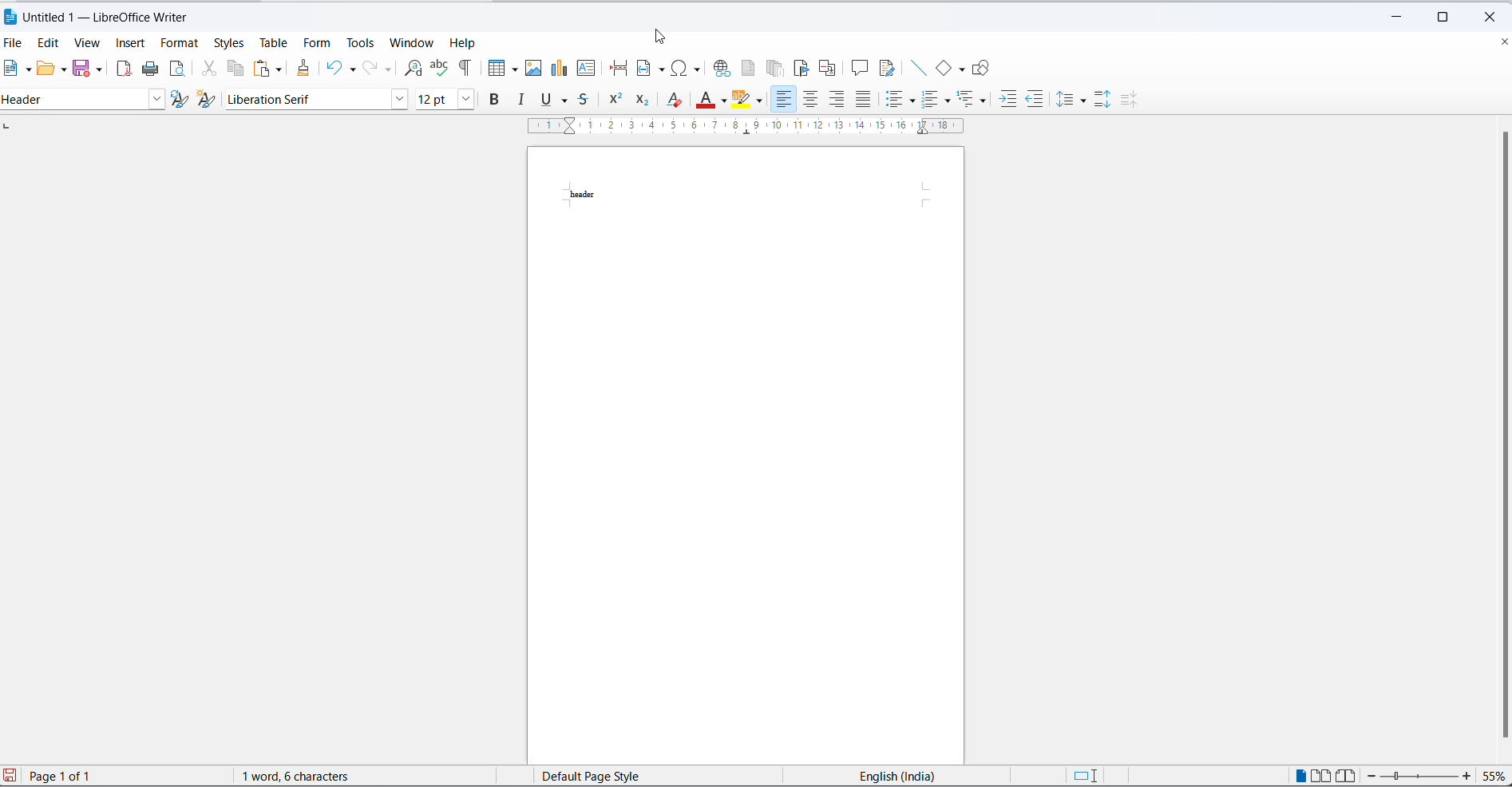 The height and width of the screenshot is (787, 1512). What do you see at coordinates (49, 42) in the screenshot?
I see `edit` at bounding box center [49, 42].